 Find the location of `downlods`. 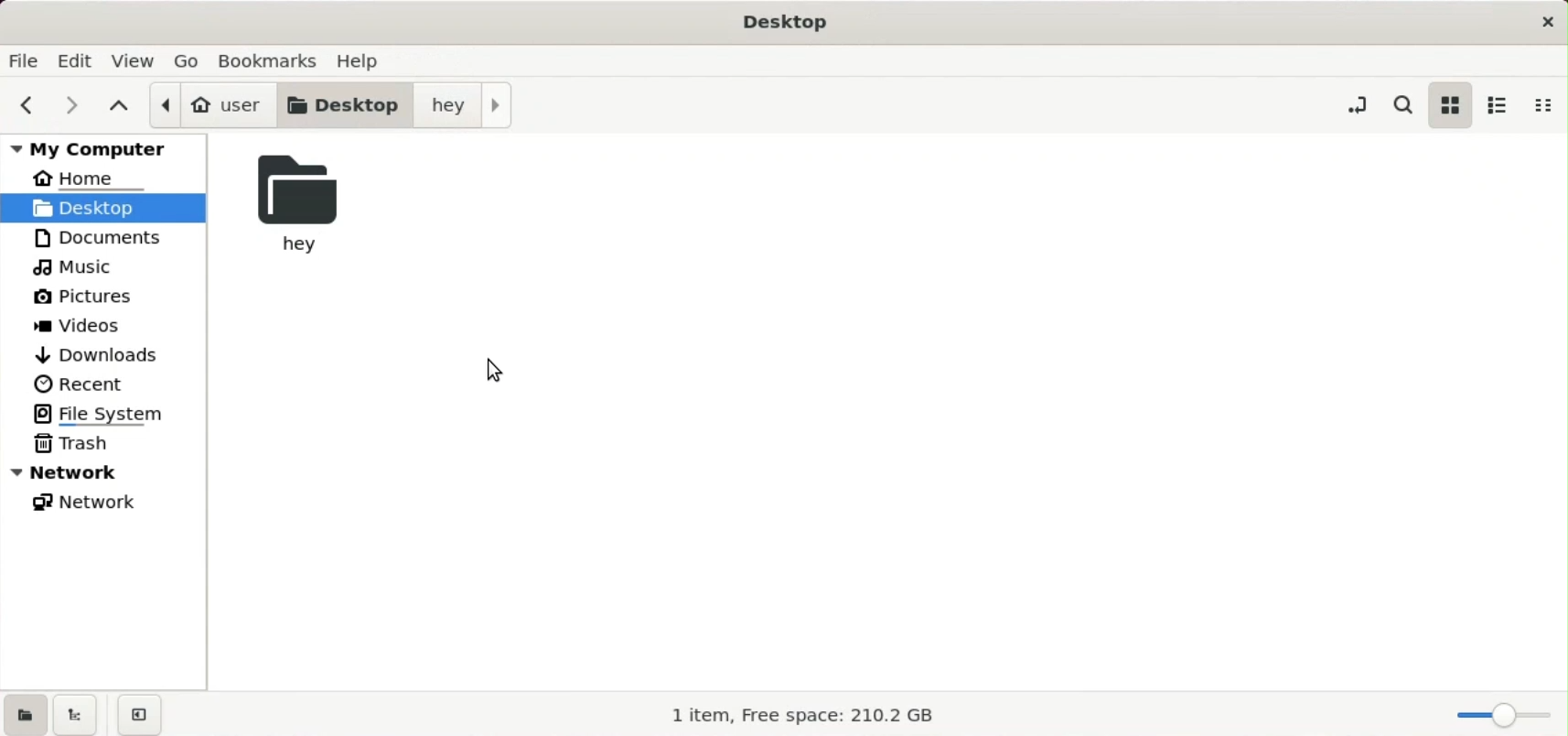

downlods is located at coordinates (107, 354).